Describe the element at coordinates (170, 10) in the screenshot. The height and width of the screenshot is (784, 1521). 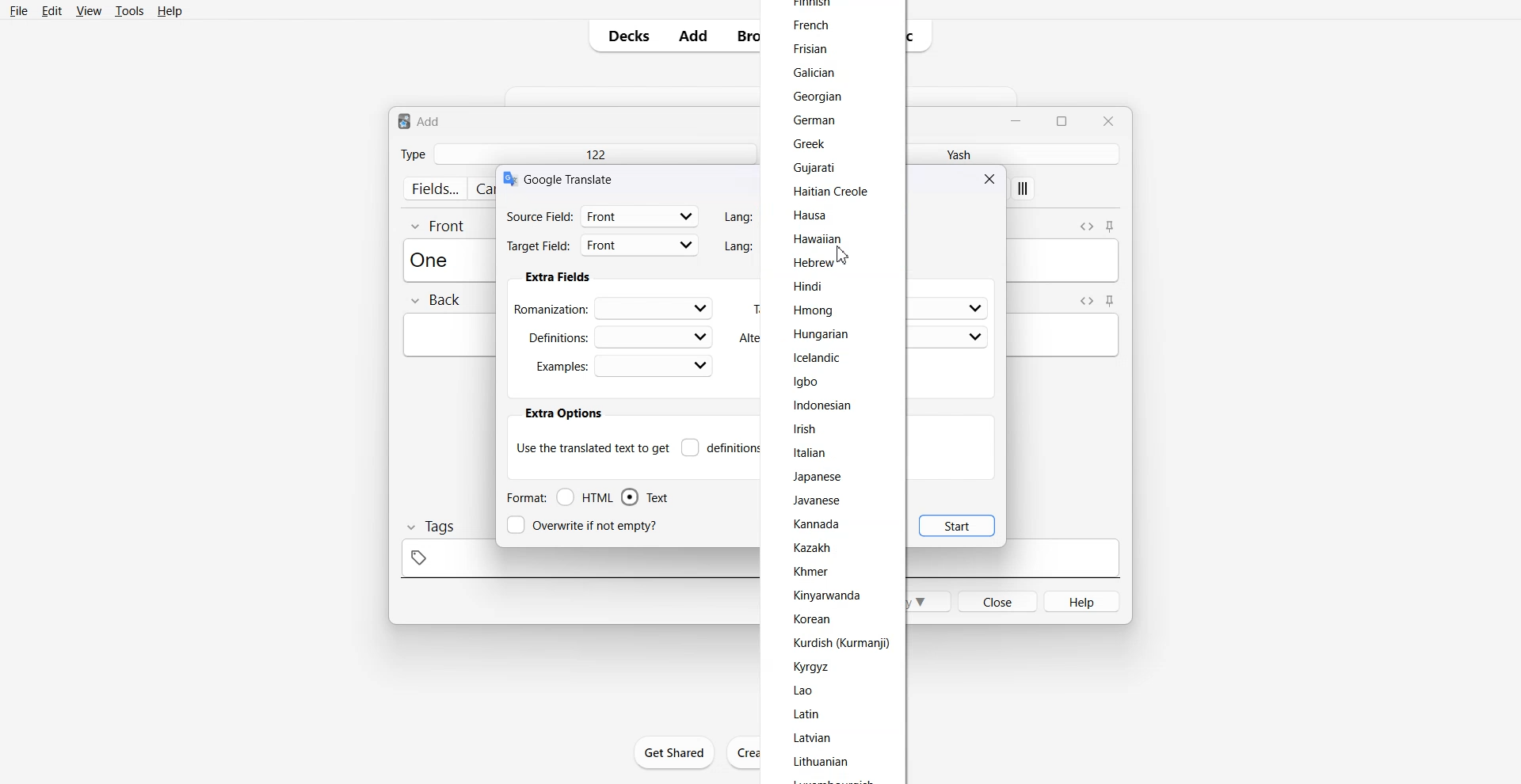
I see `Help` at that location.